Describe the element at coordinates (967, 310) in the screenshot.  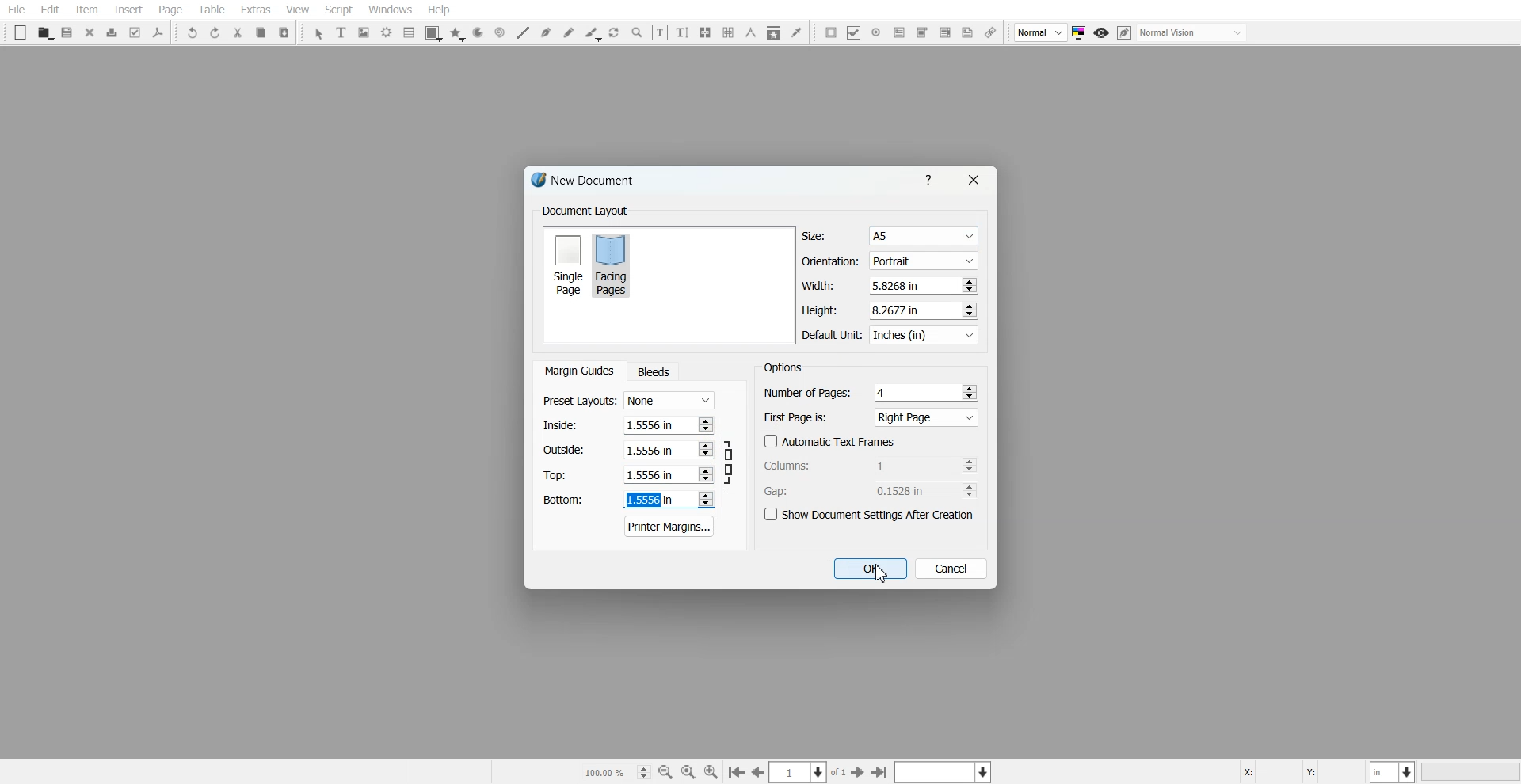
I see `Increase and decrease No. ` at that location.